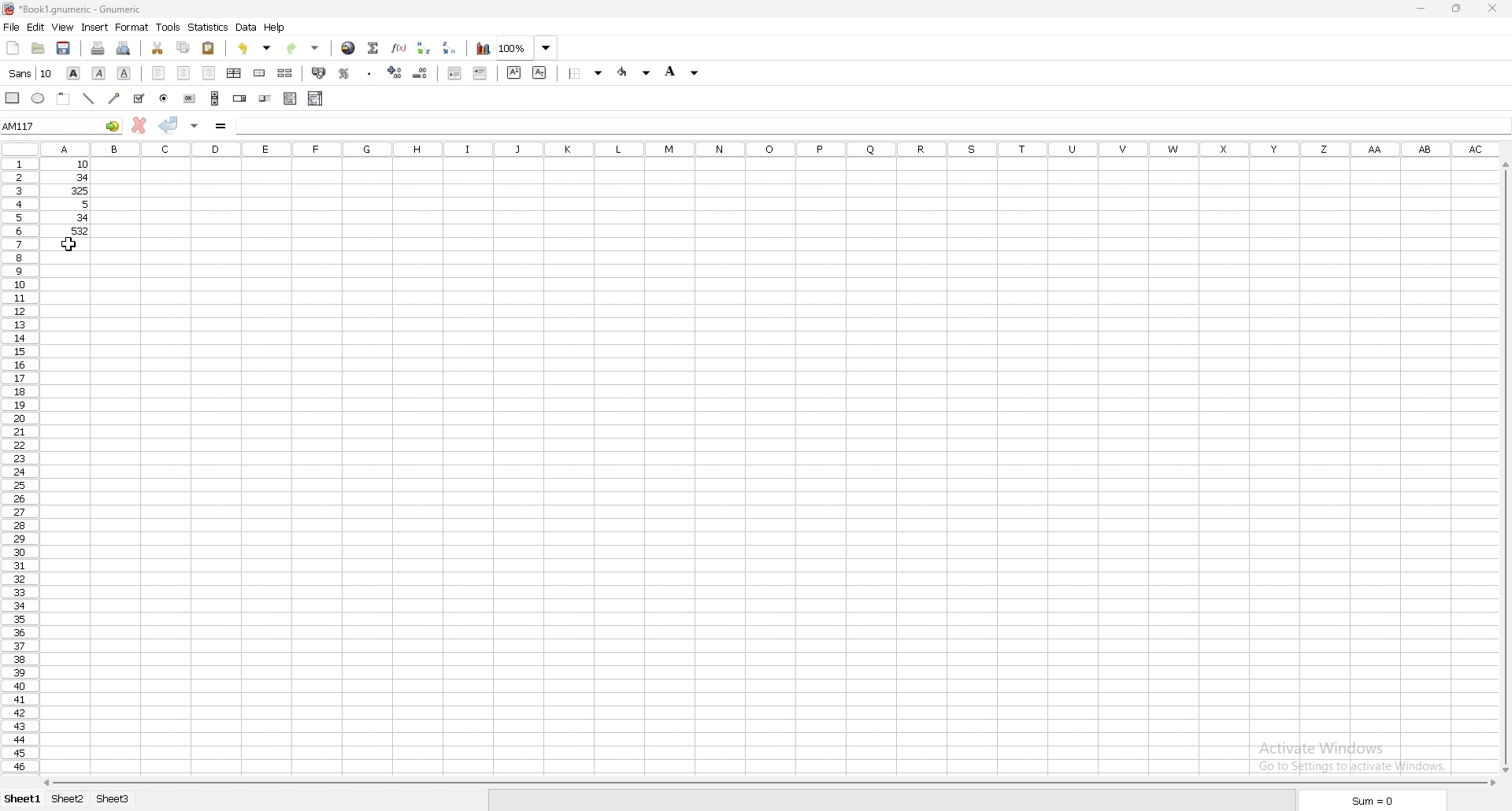  I want to click on paste, so click(209, 47).